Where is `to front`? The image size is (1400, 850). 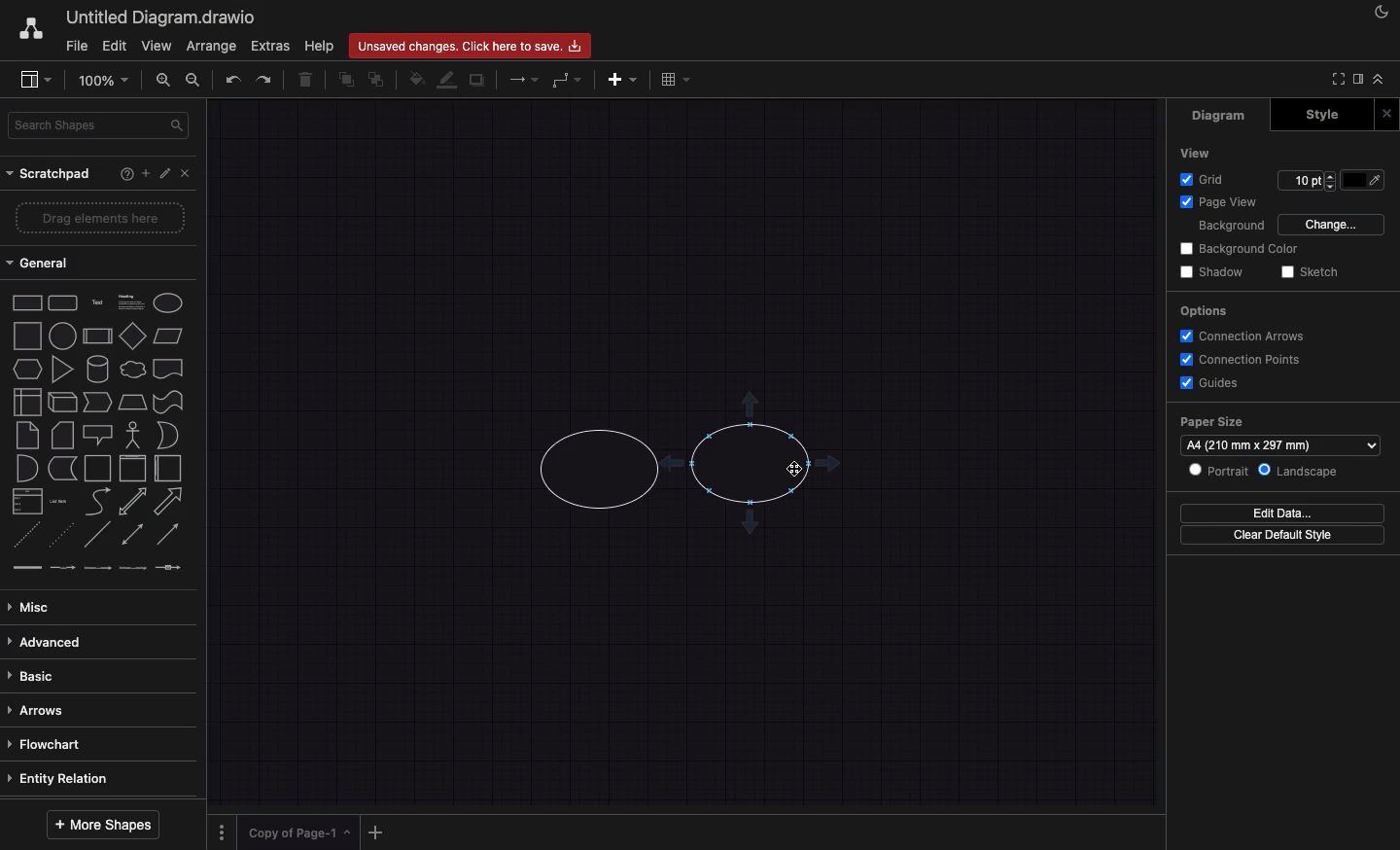
to front is located at coordinates (344, 79).